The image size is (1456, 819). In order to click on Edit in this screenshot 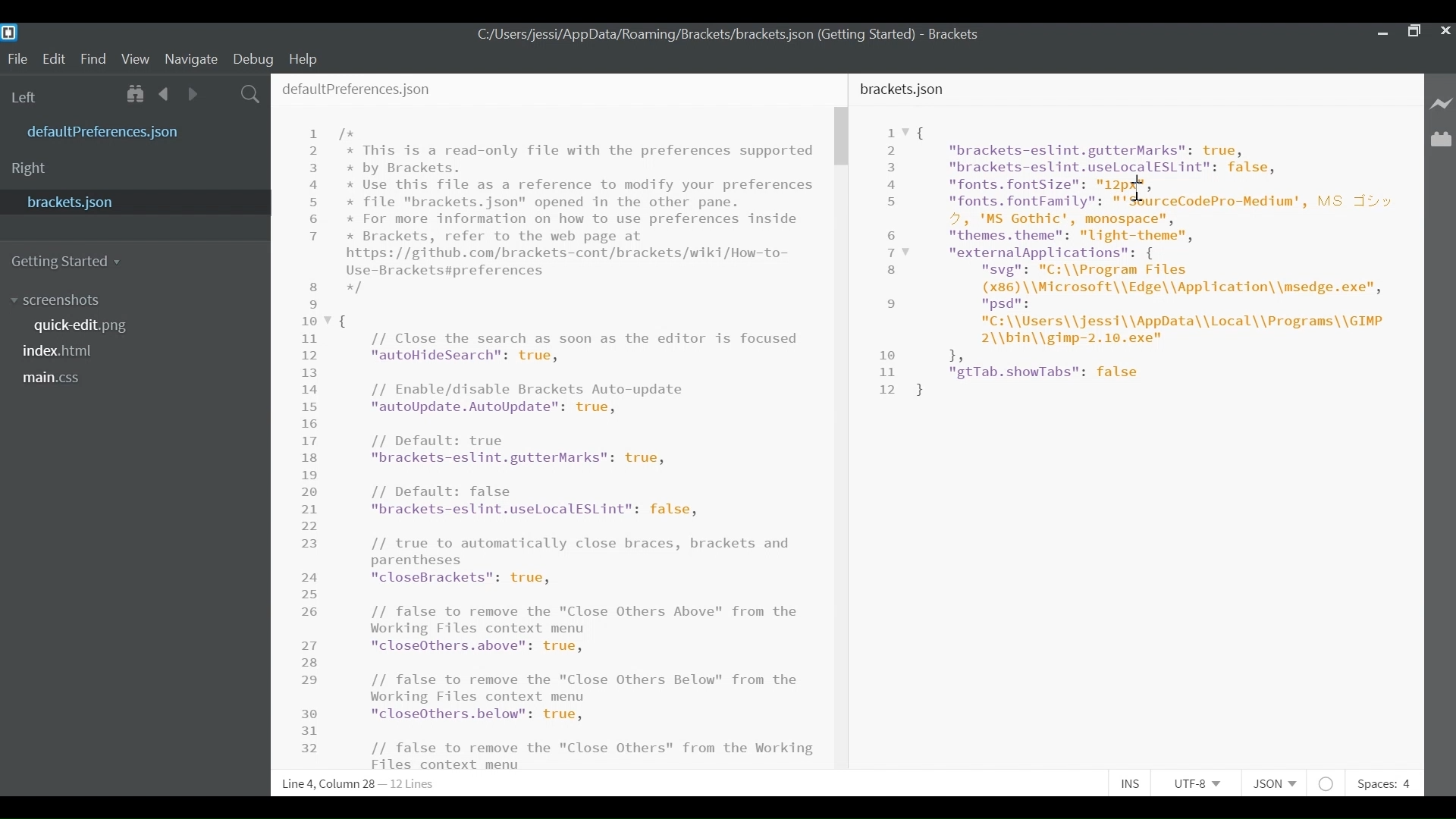, I will do `click(57, 58)`.